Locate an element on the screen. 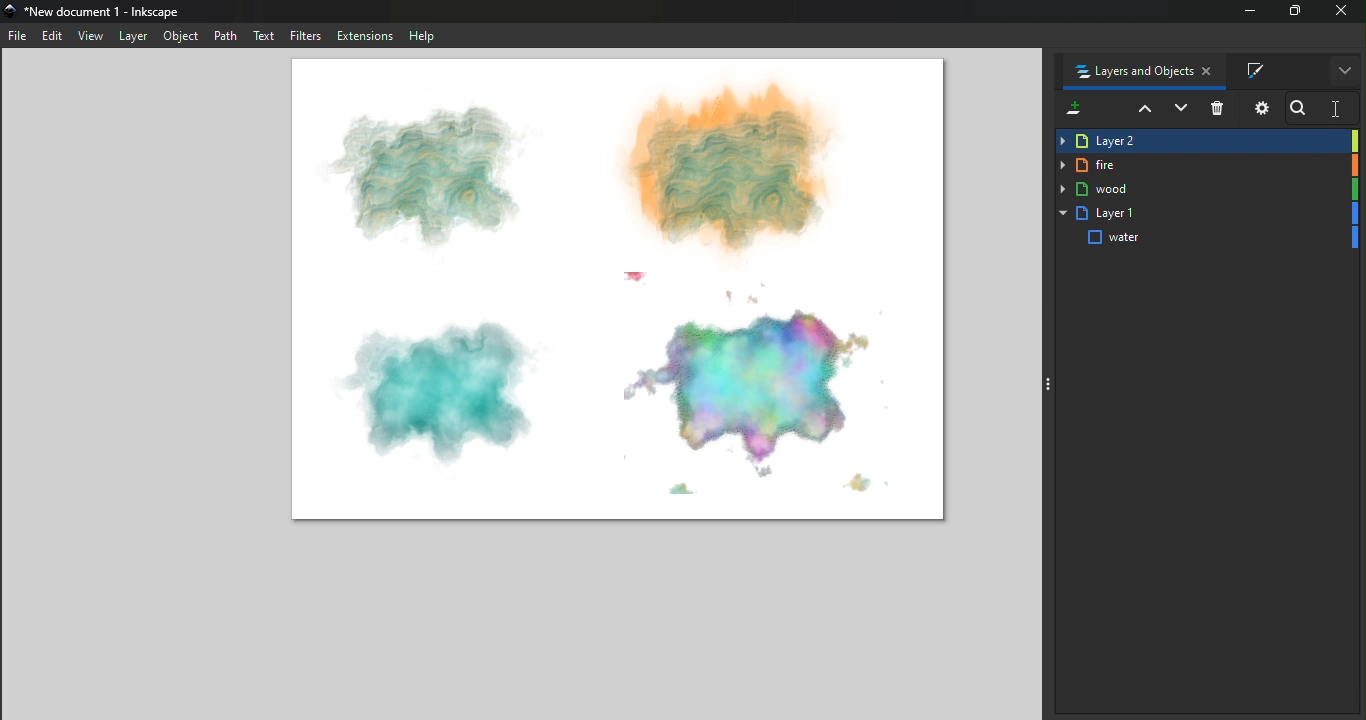 The height and width of the screenshot is (720, 1366). Search bar is located at coordinates (1325, 107).